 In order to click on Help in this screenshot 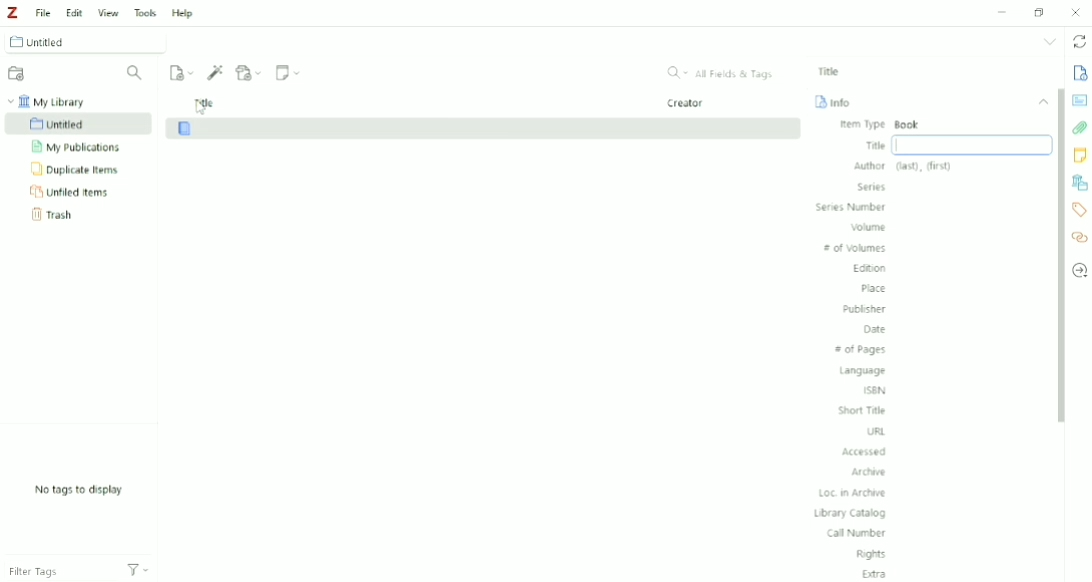, I will do `click(183, 13)`.